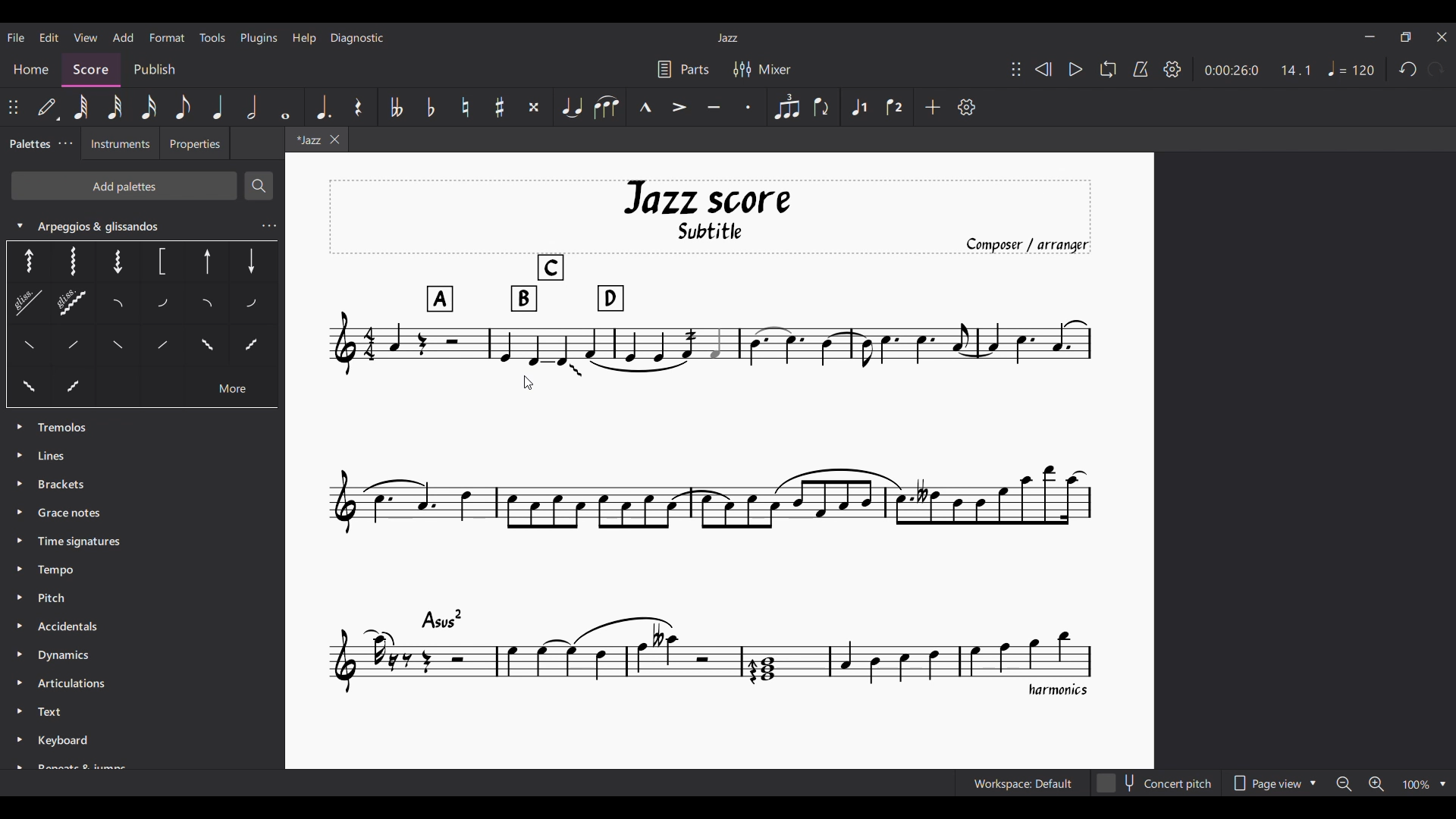  I want to click on Home, so click(30, 68).